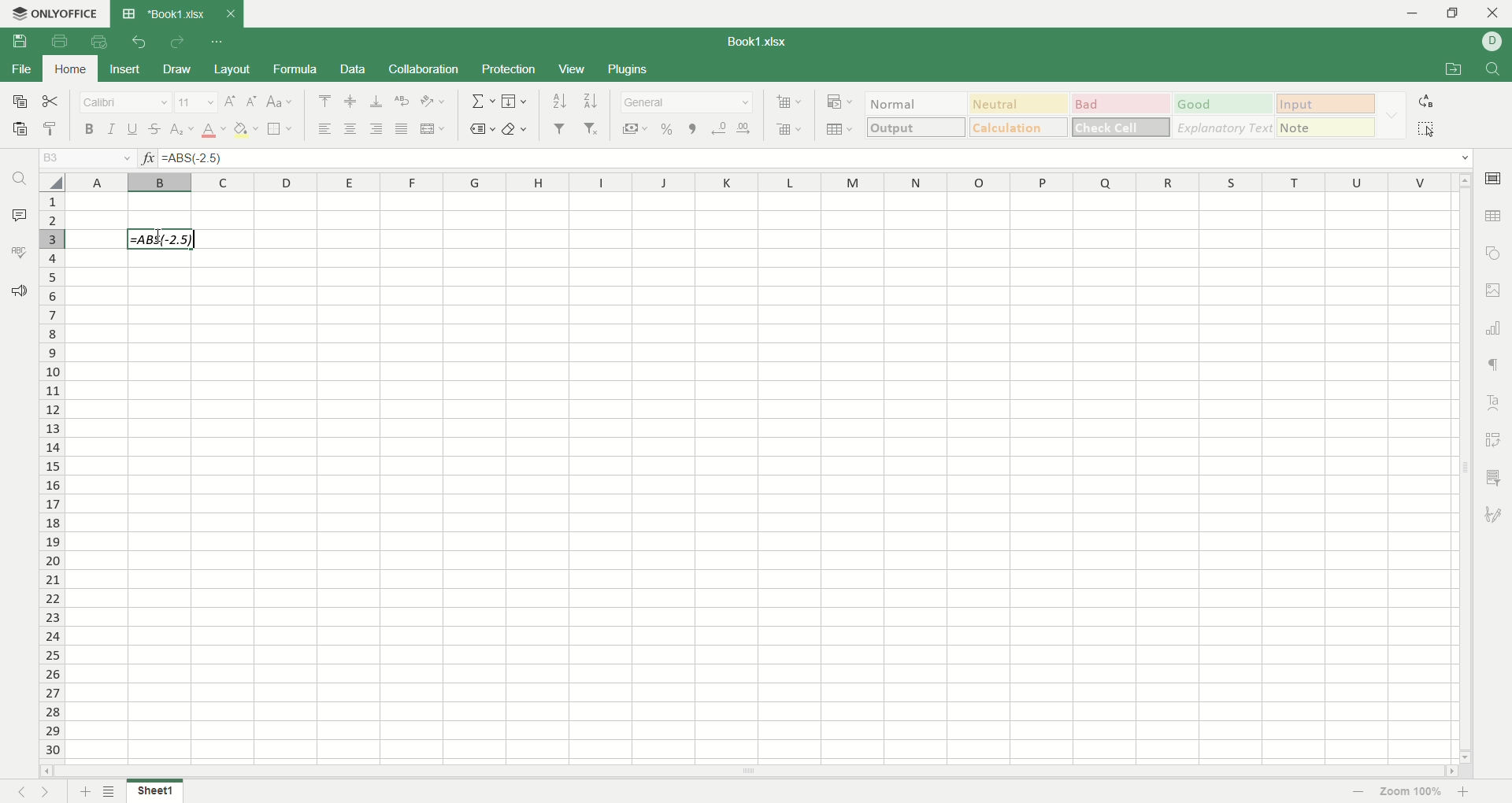 This screenshot has height=803, width=1512. I want to click on input line, so click(816, 159).